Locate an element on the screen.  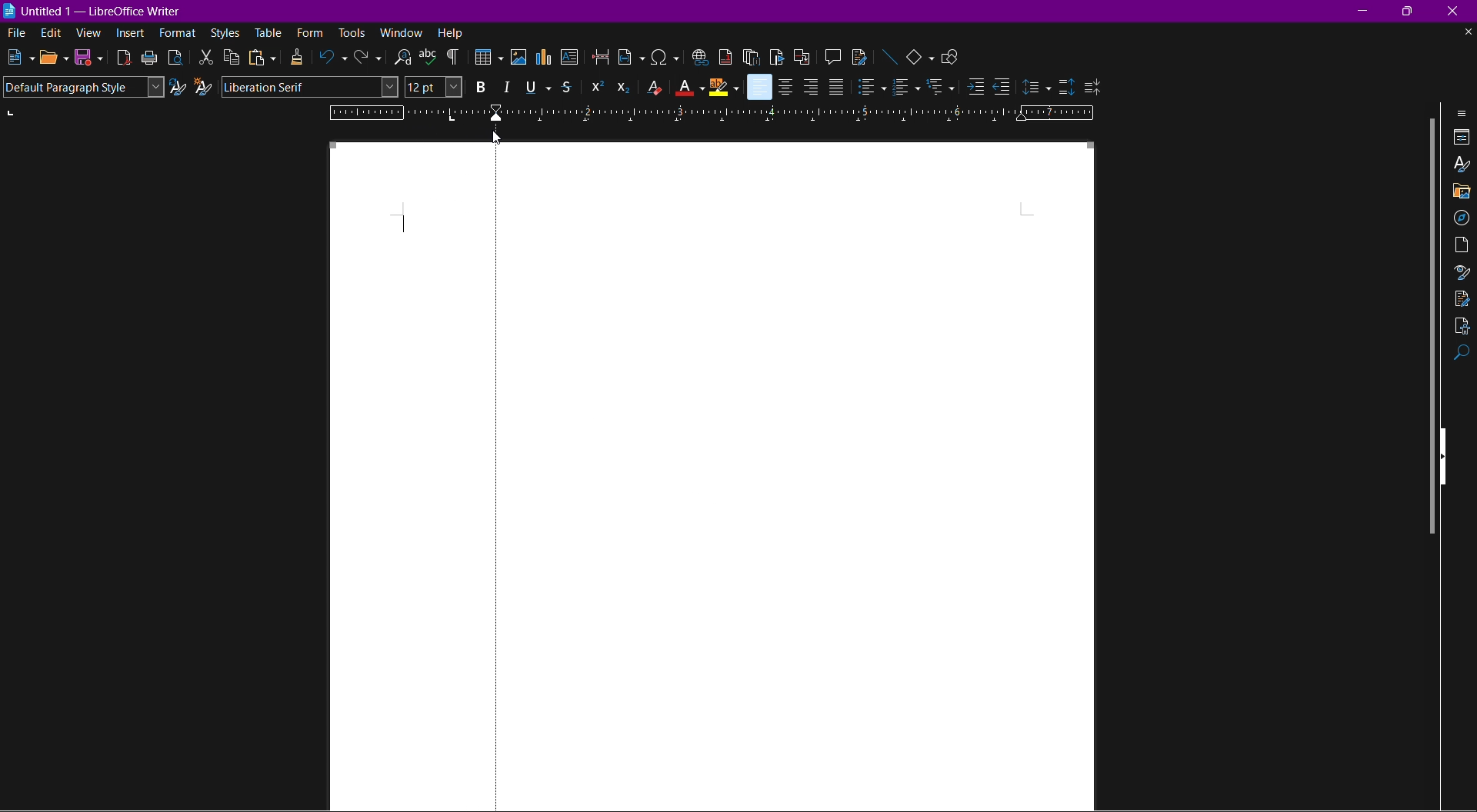
Paste is located at coordinates (261, 58).